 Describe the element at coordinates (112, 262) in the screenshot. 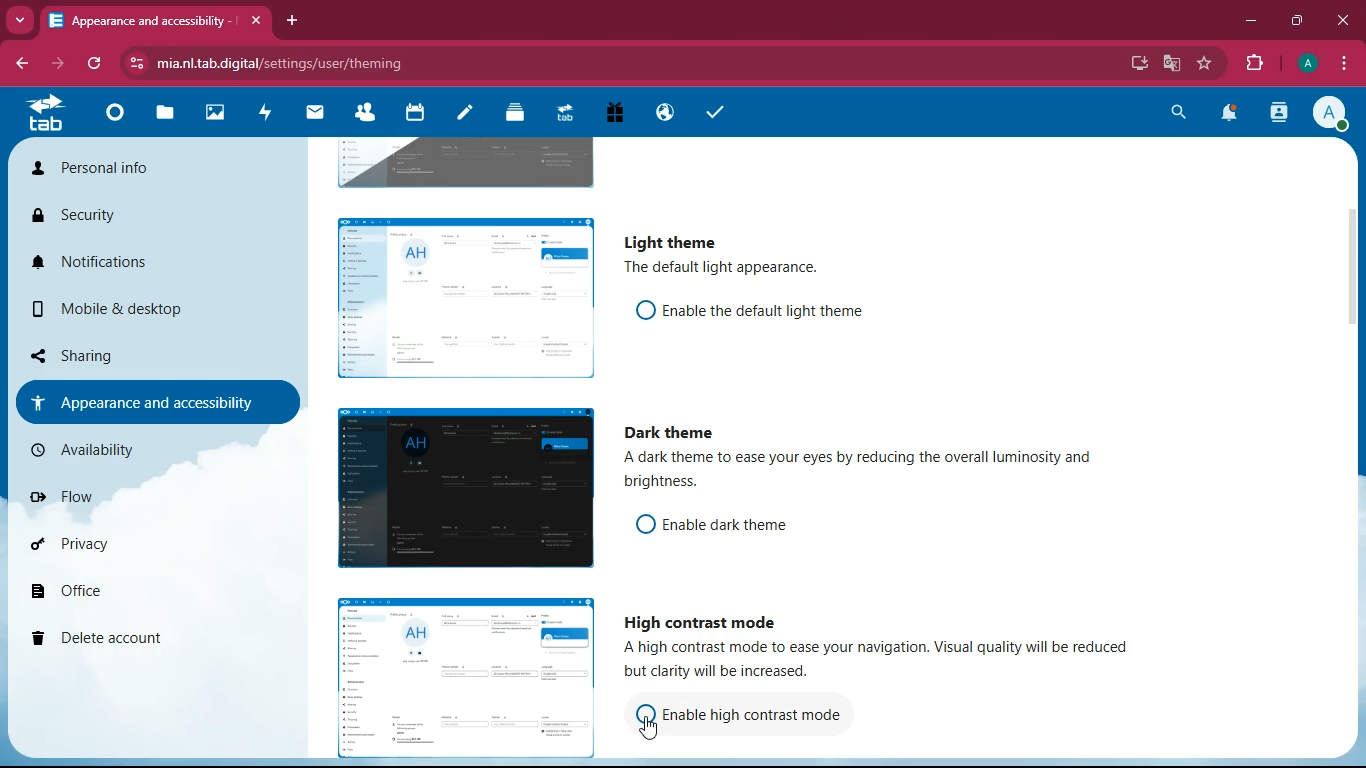

I see `notifications` at that location.